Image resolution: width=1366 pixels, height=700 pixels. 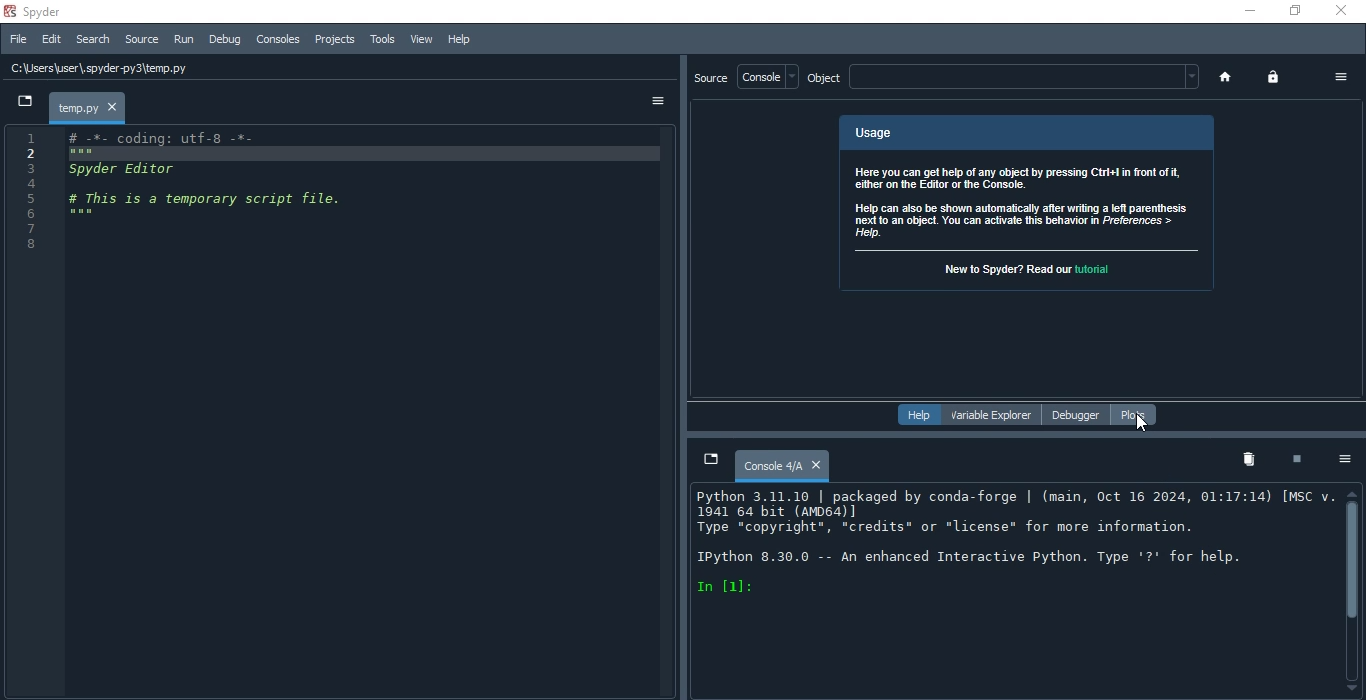 What do you see at coordinates (93, 39) in the screenshot?
I see `Search` at bounding box center [93, 39].